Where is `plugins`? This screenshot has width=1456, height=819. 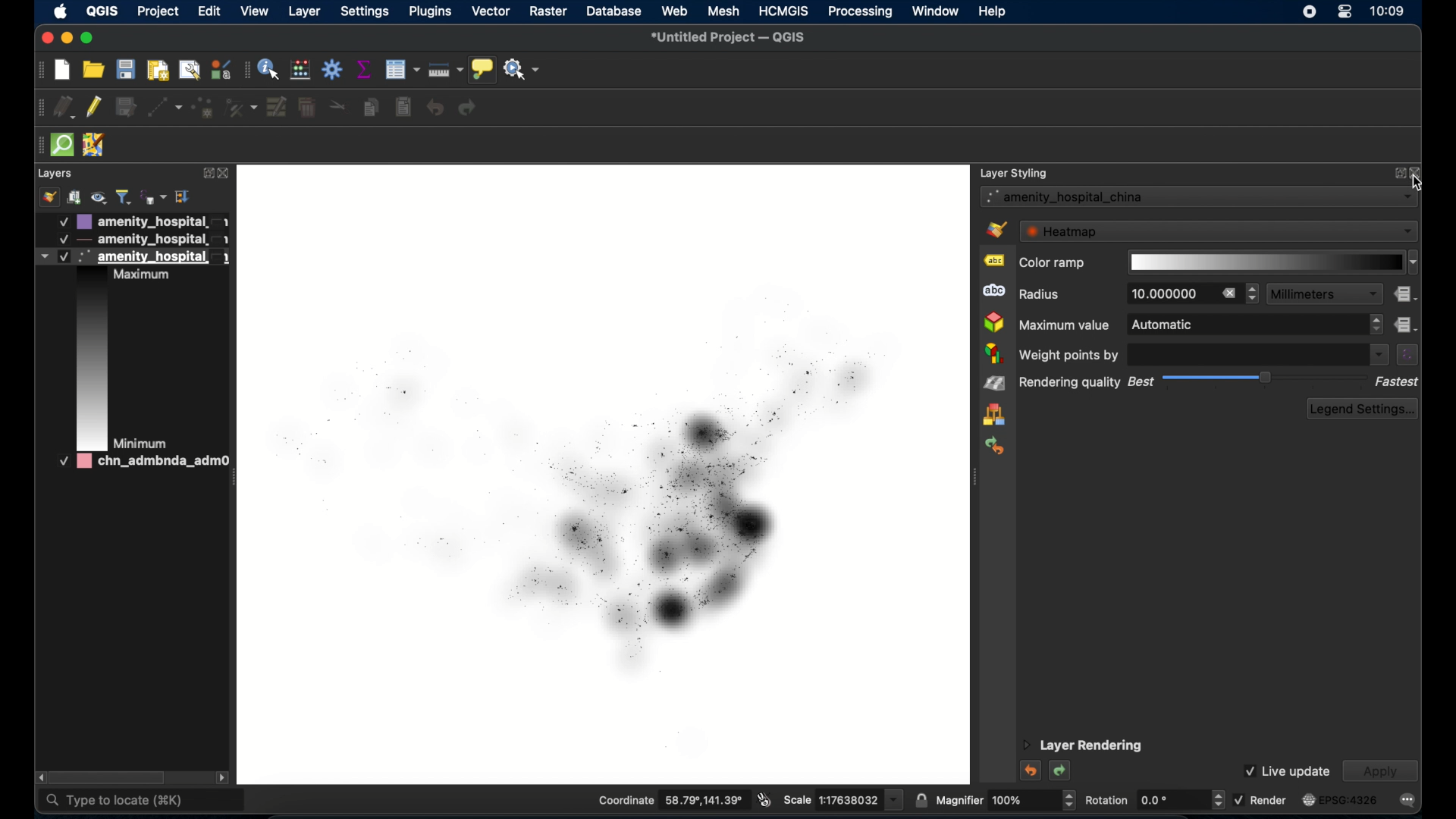 plugins is located at coordinates (431, 11).